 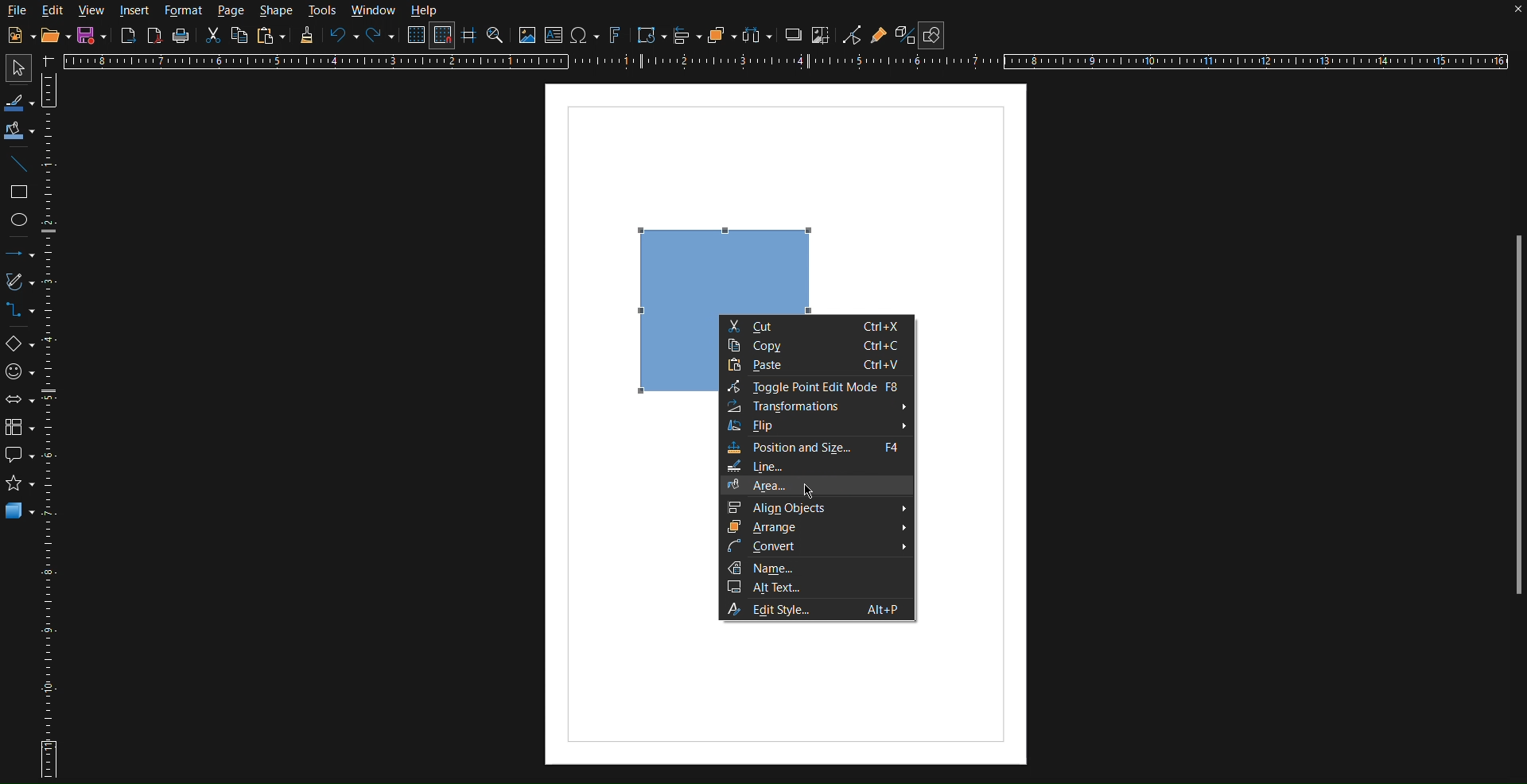 I want to click on Copy, so click(x=239, y=37).